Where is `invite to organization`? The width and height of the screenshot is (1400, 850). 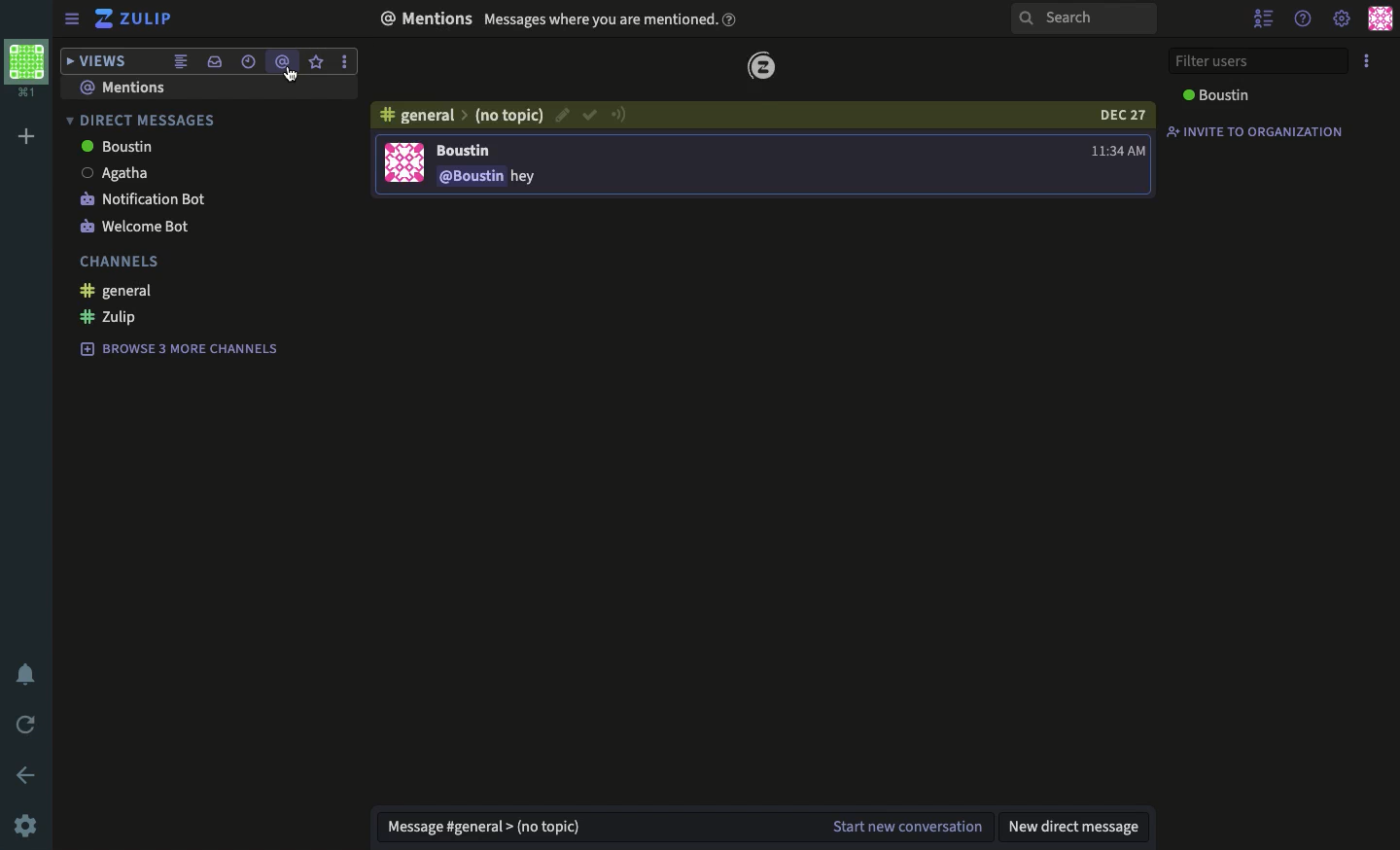
invite to organization is located at coordinates (1255, 135).